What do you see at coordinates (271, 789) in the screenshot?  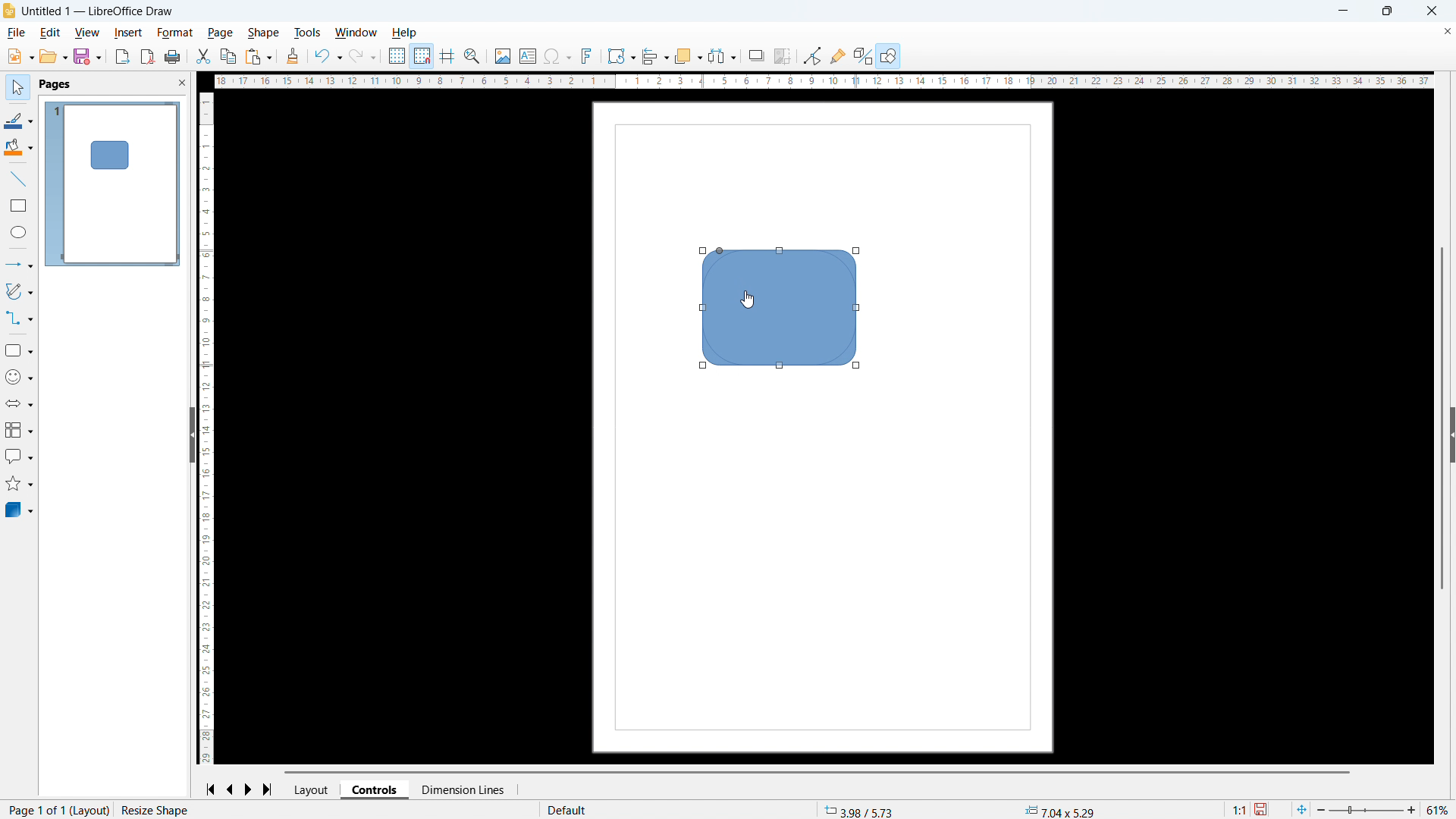 I see `last page` at bounding box center [271, 789].